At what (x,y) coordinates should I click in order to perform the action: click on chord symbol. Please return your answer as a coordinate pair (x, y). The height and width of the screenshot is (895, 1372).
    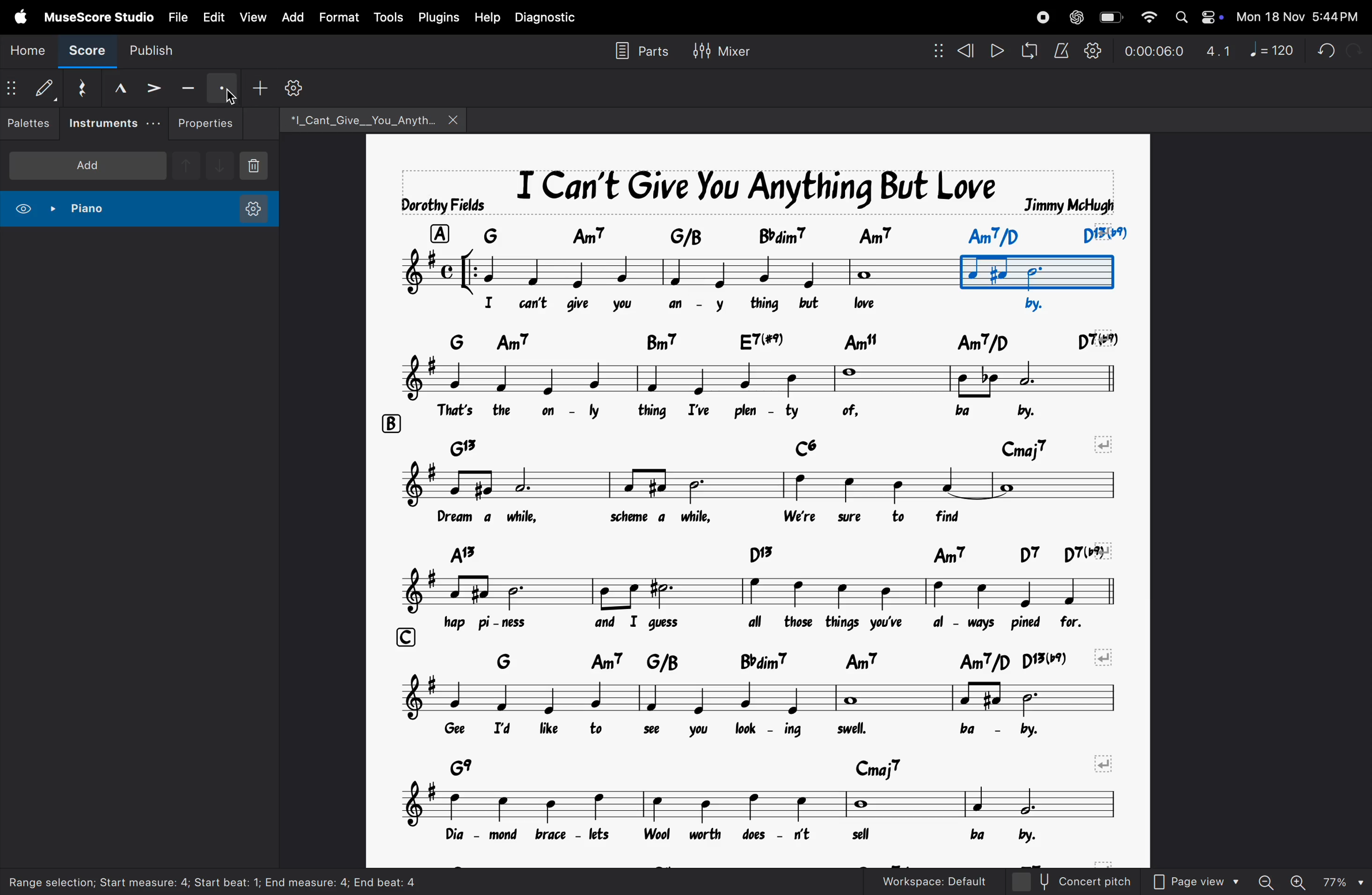
    Looking at the image, I should click on (801, 234).